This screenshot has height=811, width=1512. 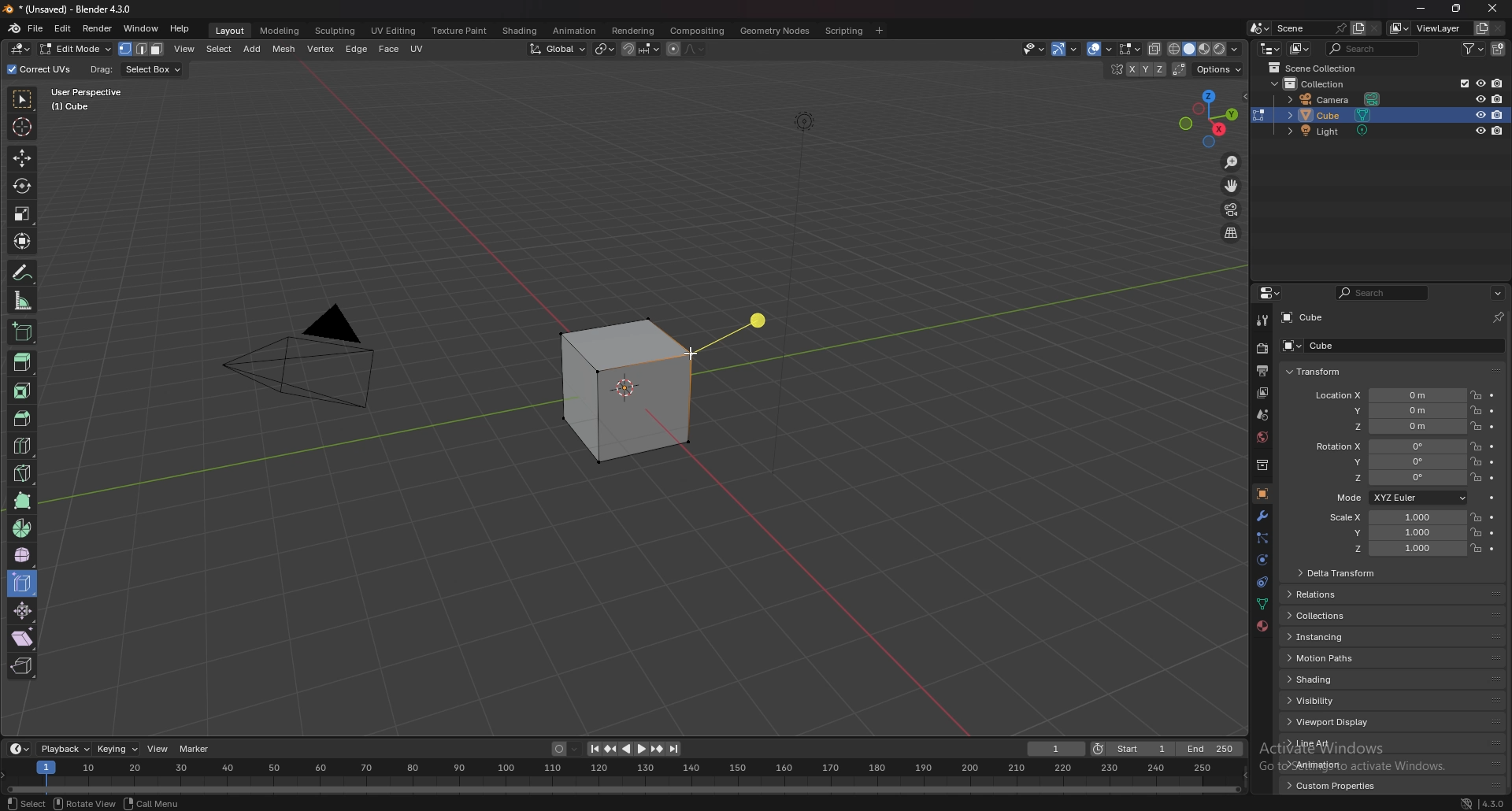 I want to click on lock, so click(x=1476, y=446).